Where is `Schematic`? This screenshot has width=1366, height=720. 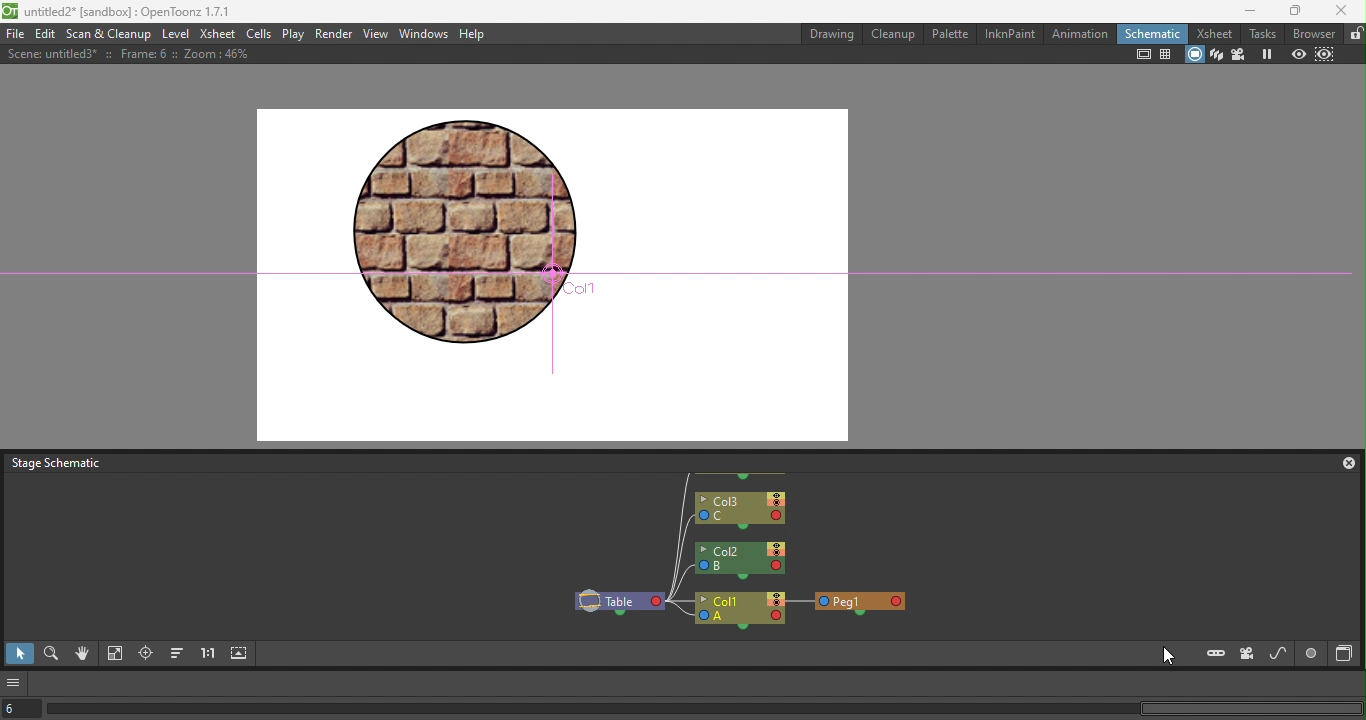
Schematic is located at coordinates (1152, 34).